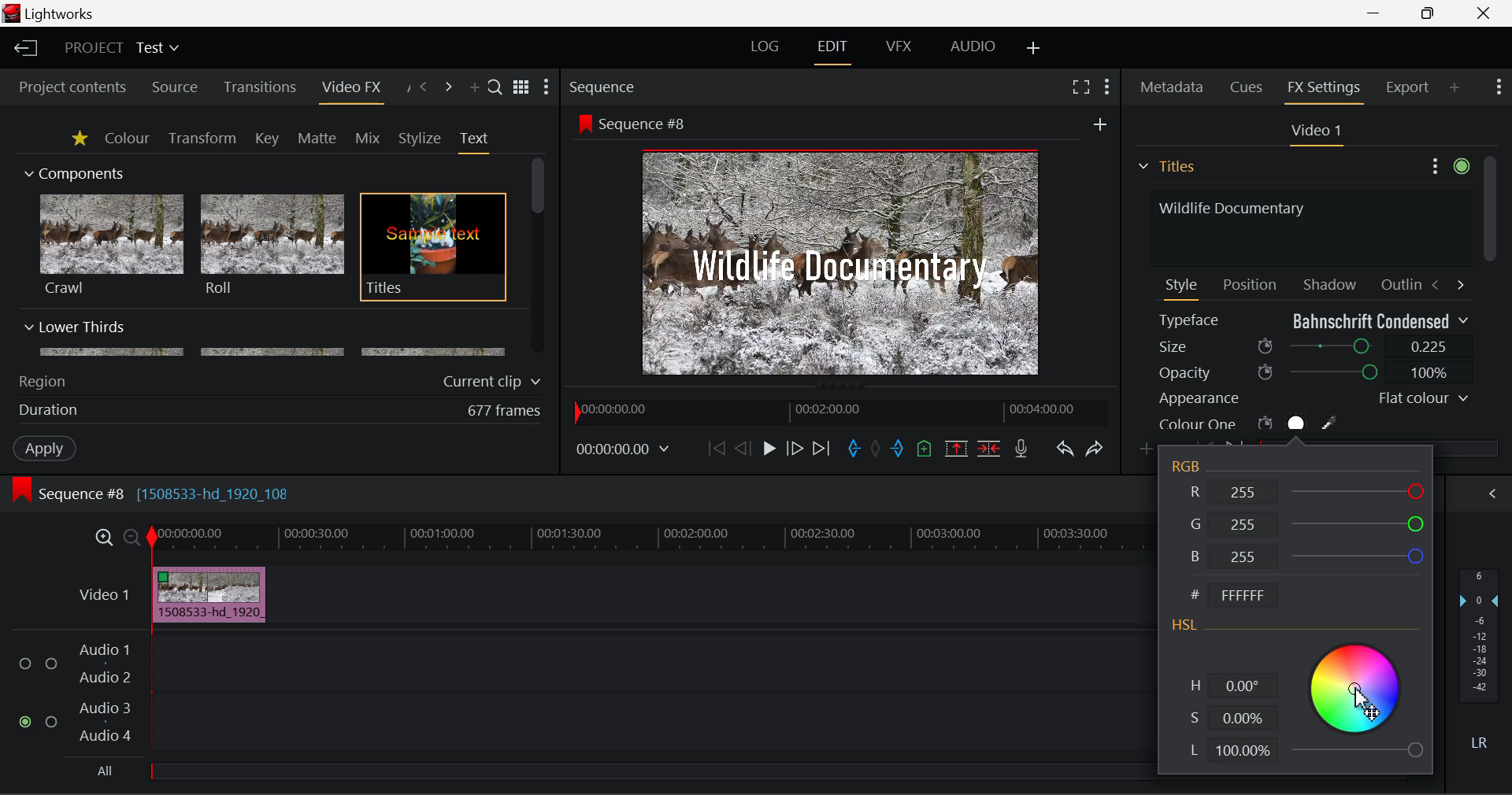 This screenshot has height=795, width=1512. What do you see at coordinates (1306, 521) in the screenshot?
I see `G` at bounding box center [1306, 521].